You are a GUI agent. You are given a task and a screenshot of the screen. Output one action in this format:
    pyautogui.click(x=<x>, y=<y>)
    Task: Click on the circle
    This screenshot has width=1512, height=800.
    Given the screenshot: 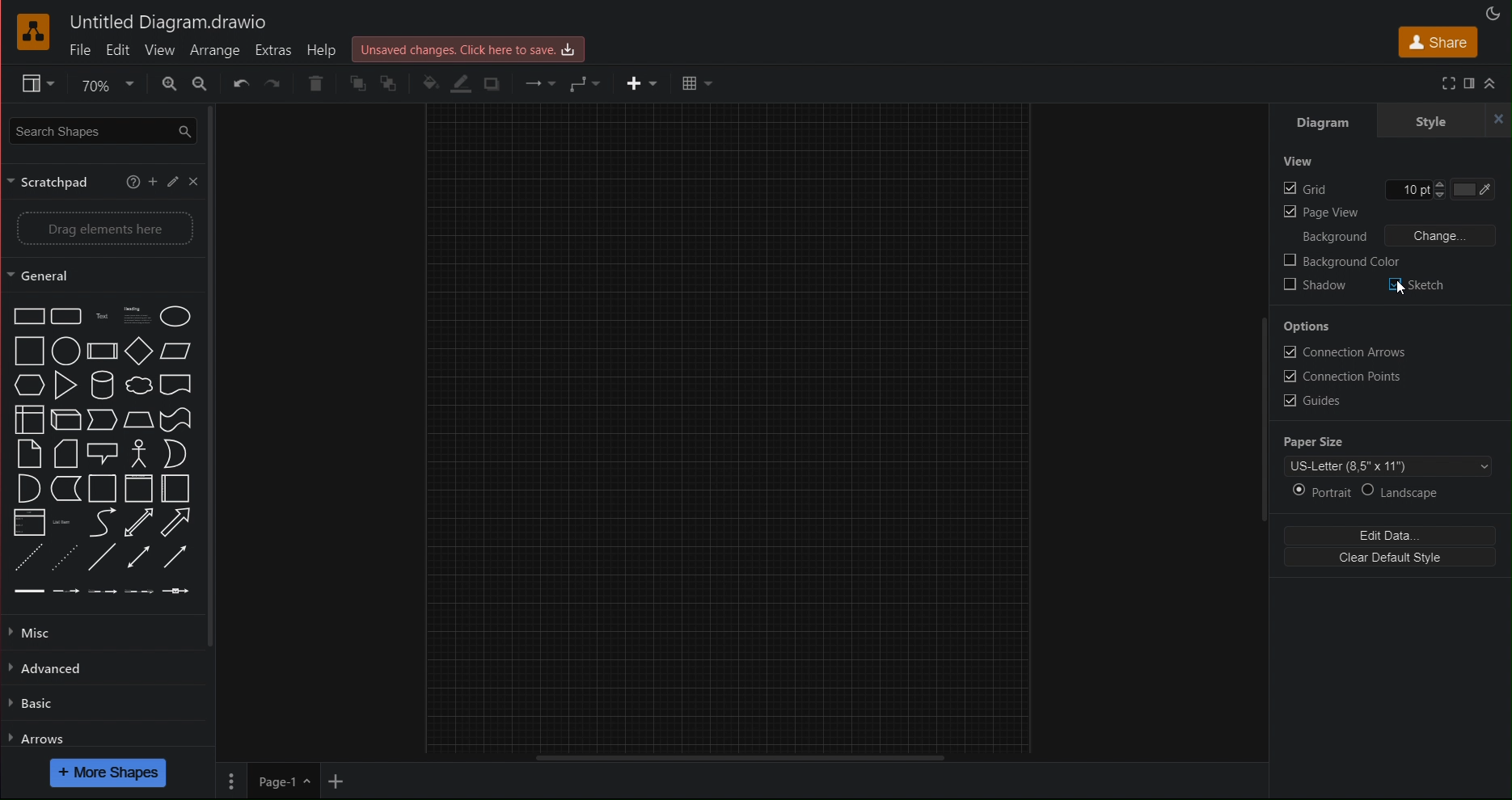 What is the action you would take?
    pyautogui.click(x=66, y=351)
    